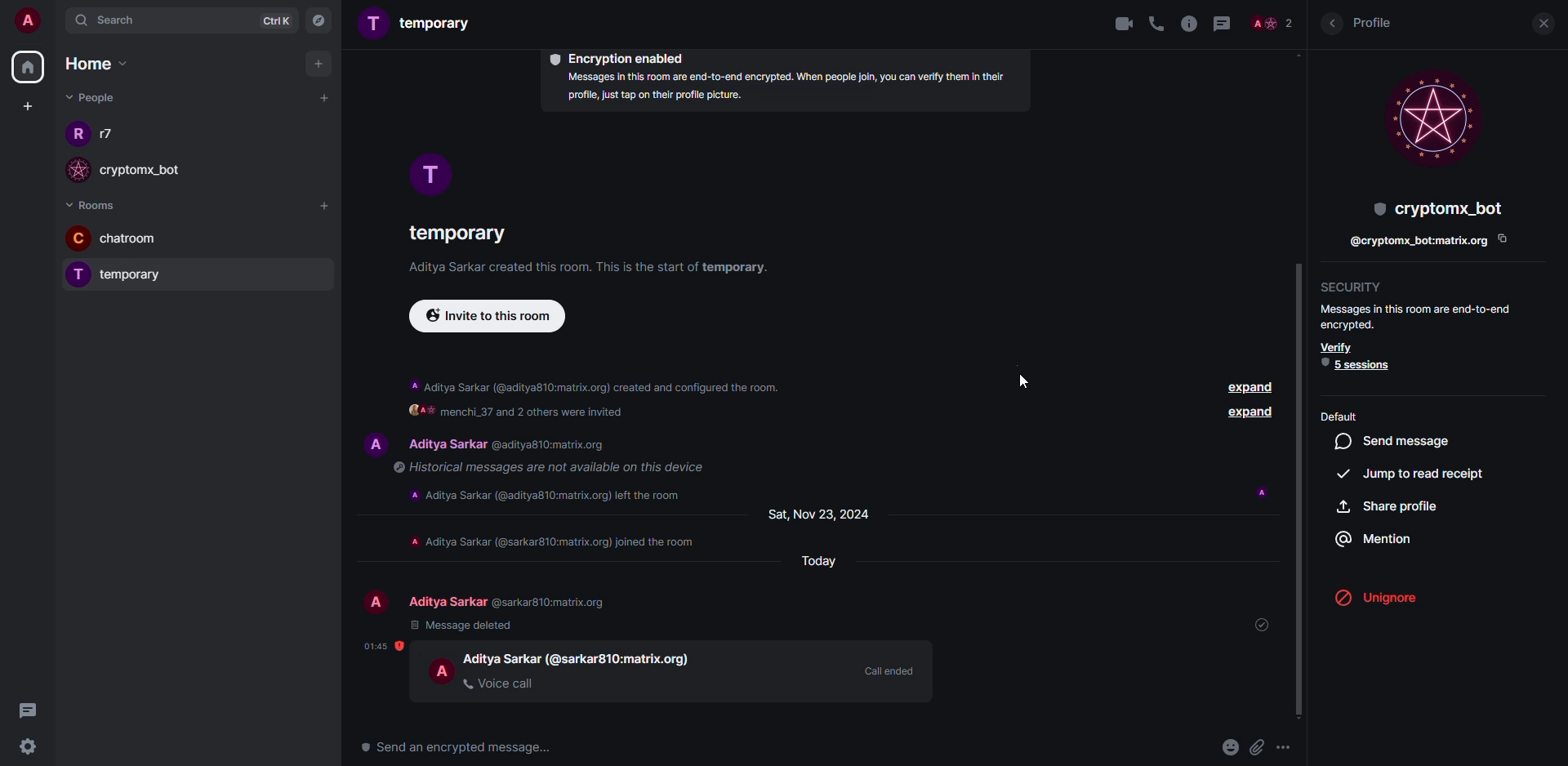 This screenshot has width=1568, height=766. What do you see at coordinates (1246, 387) in the screenshot?
I see `expand` at bounding box center [1246, 387].